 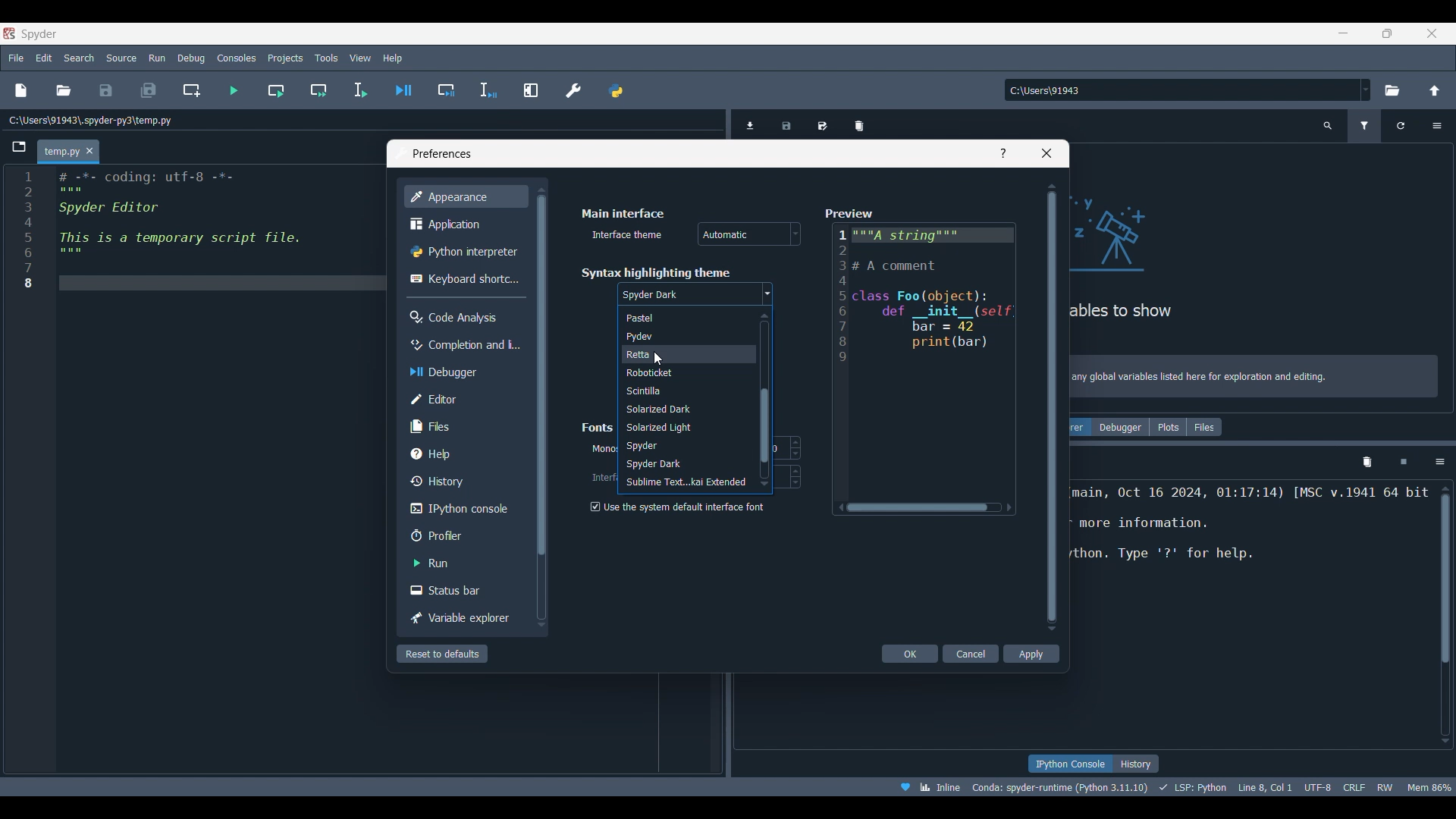 I want to click on font size, so click(x=787, y=447).